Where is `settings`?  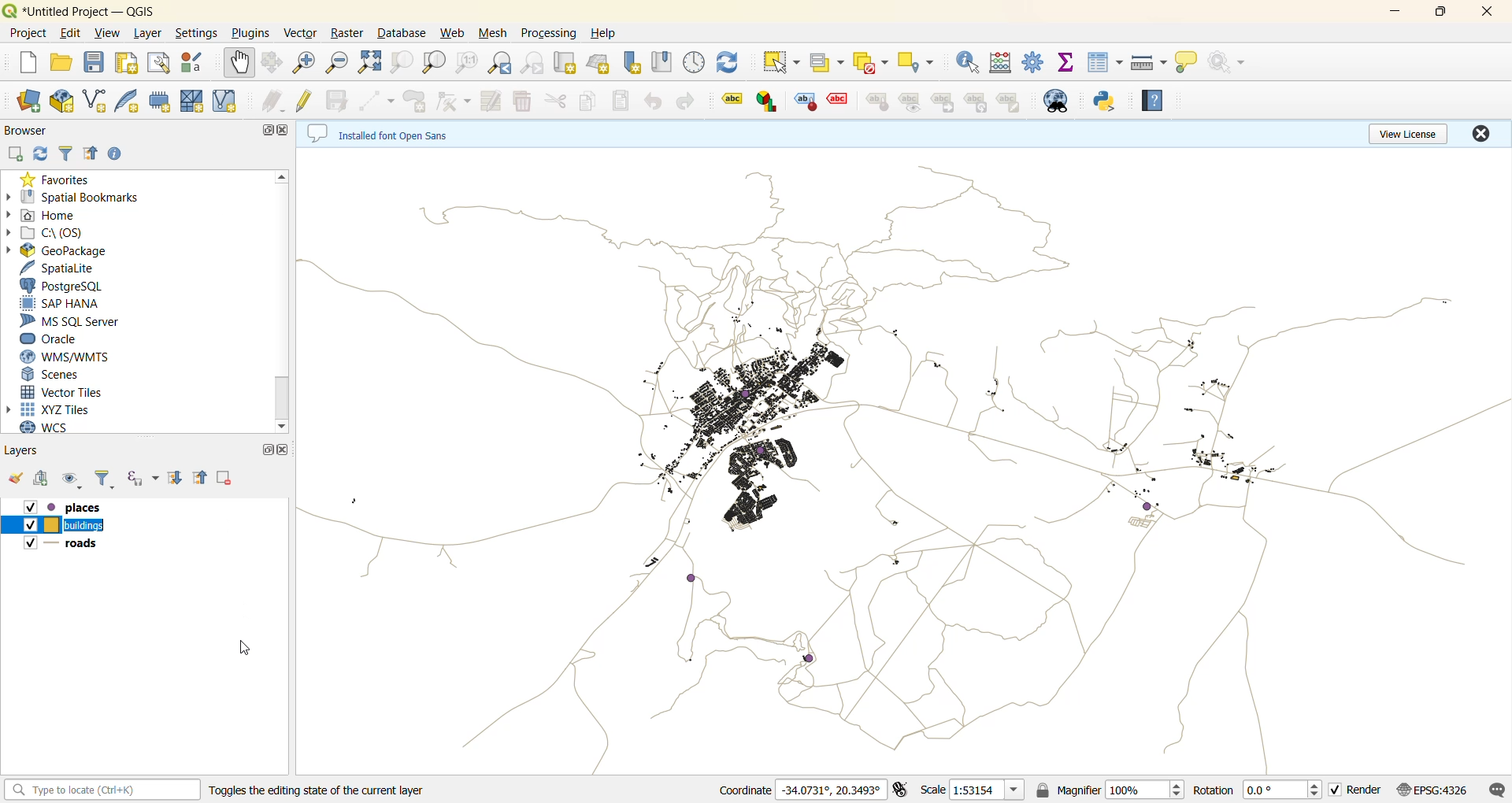
settings is located at coordinates (196, 33).